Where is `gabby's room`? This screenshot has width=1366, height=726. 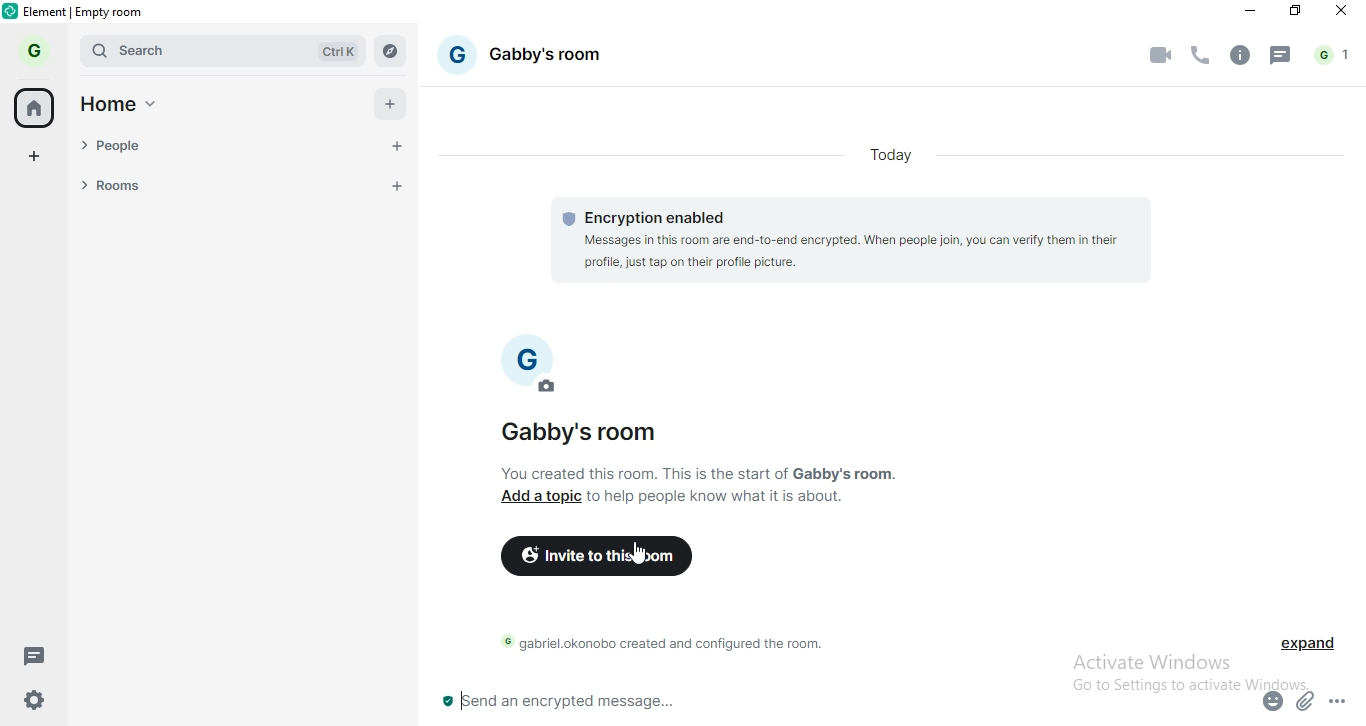
gabby's room is located at coordinates (521, 58).